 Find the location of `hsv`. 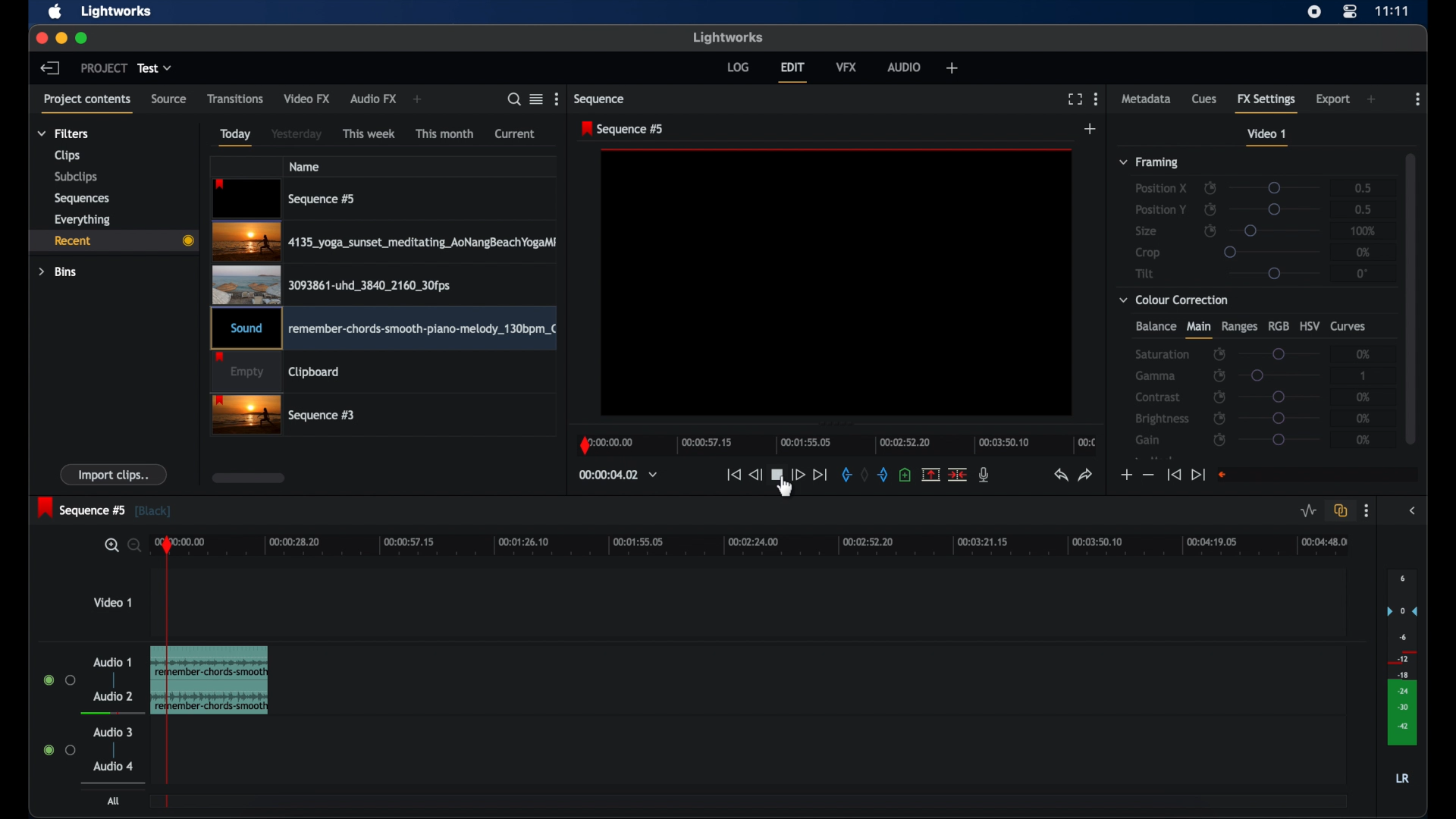

hsv is located at coordinates (1310, 325).